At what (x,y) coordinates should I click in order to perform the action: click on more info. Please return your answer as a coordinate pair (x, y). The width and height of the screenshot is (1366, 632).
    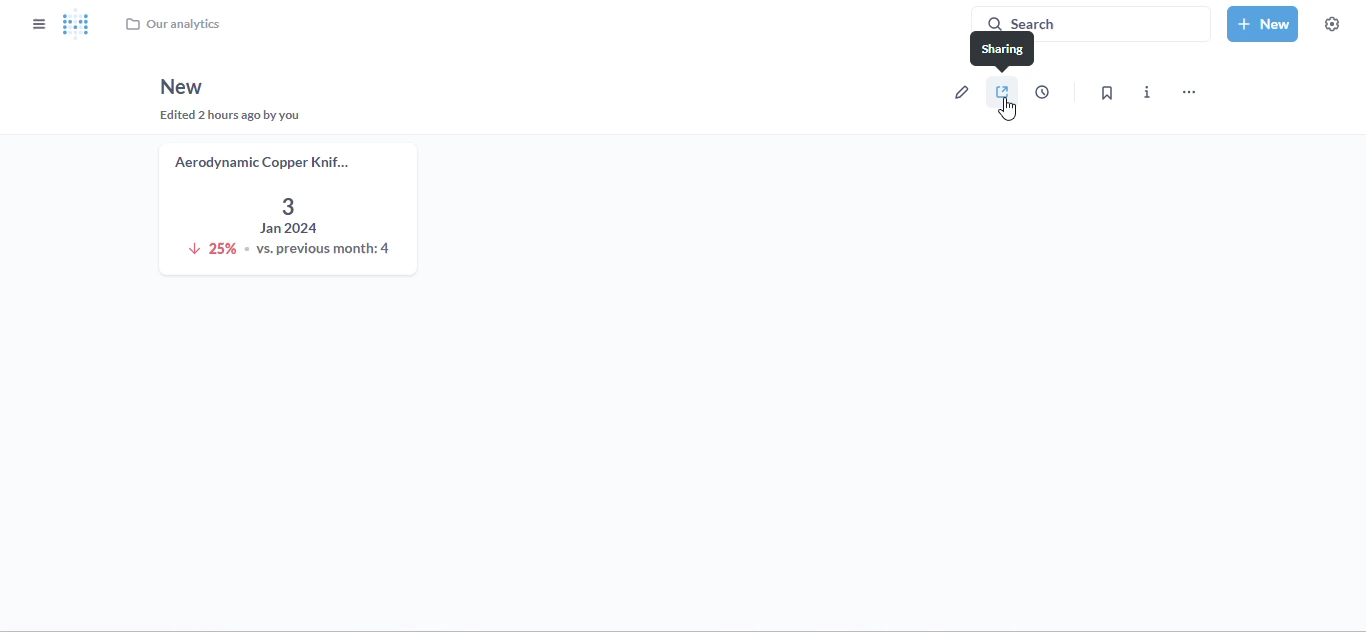
    Looking at the image, I should click on (1147, 92).